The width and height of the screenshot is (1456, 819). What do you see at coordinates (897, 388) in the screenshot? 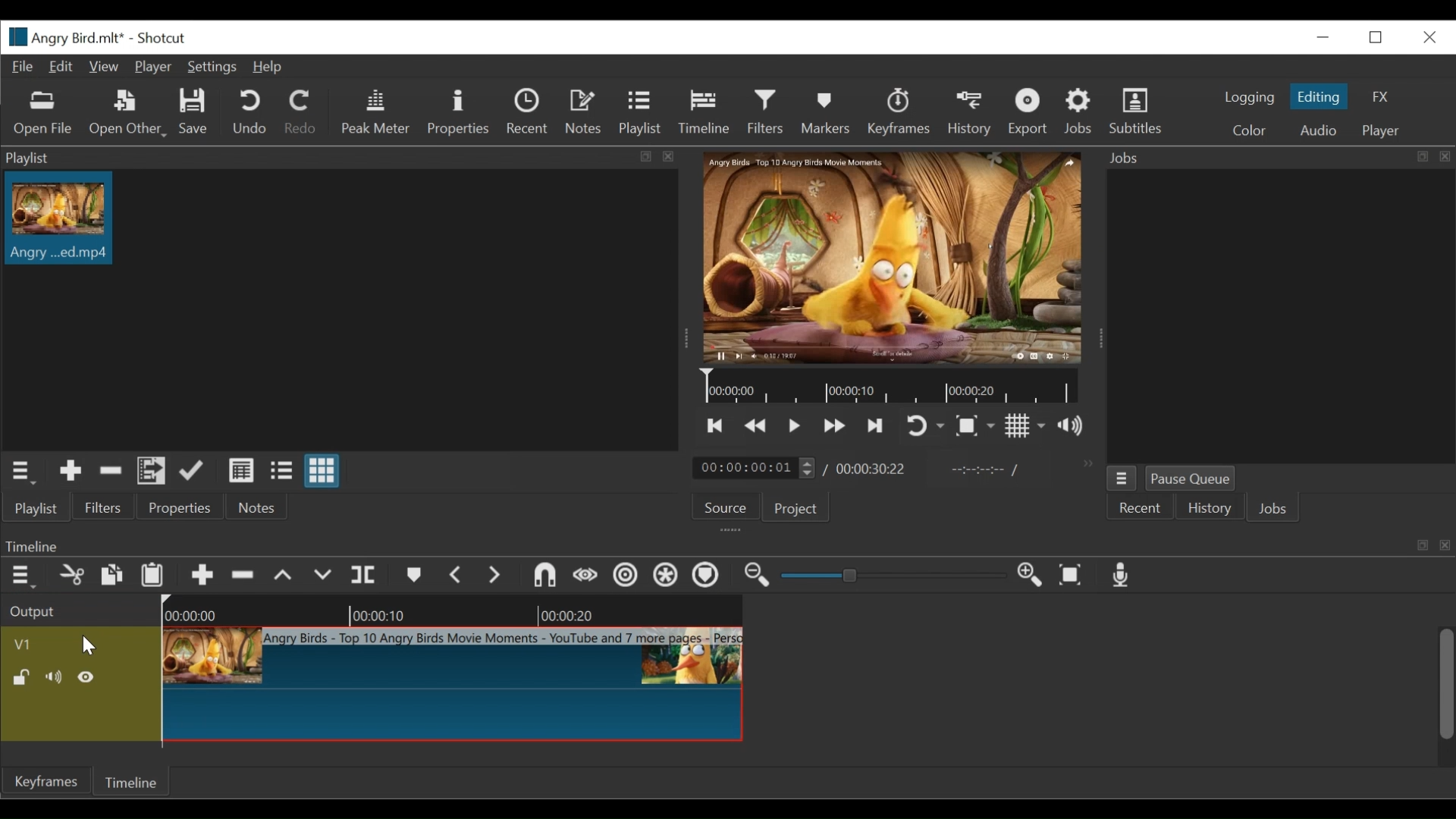
I see `Timeline ` at bounding box center [897, 388].